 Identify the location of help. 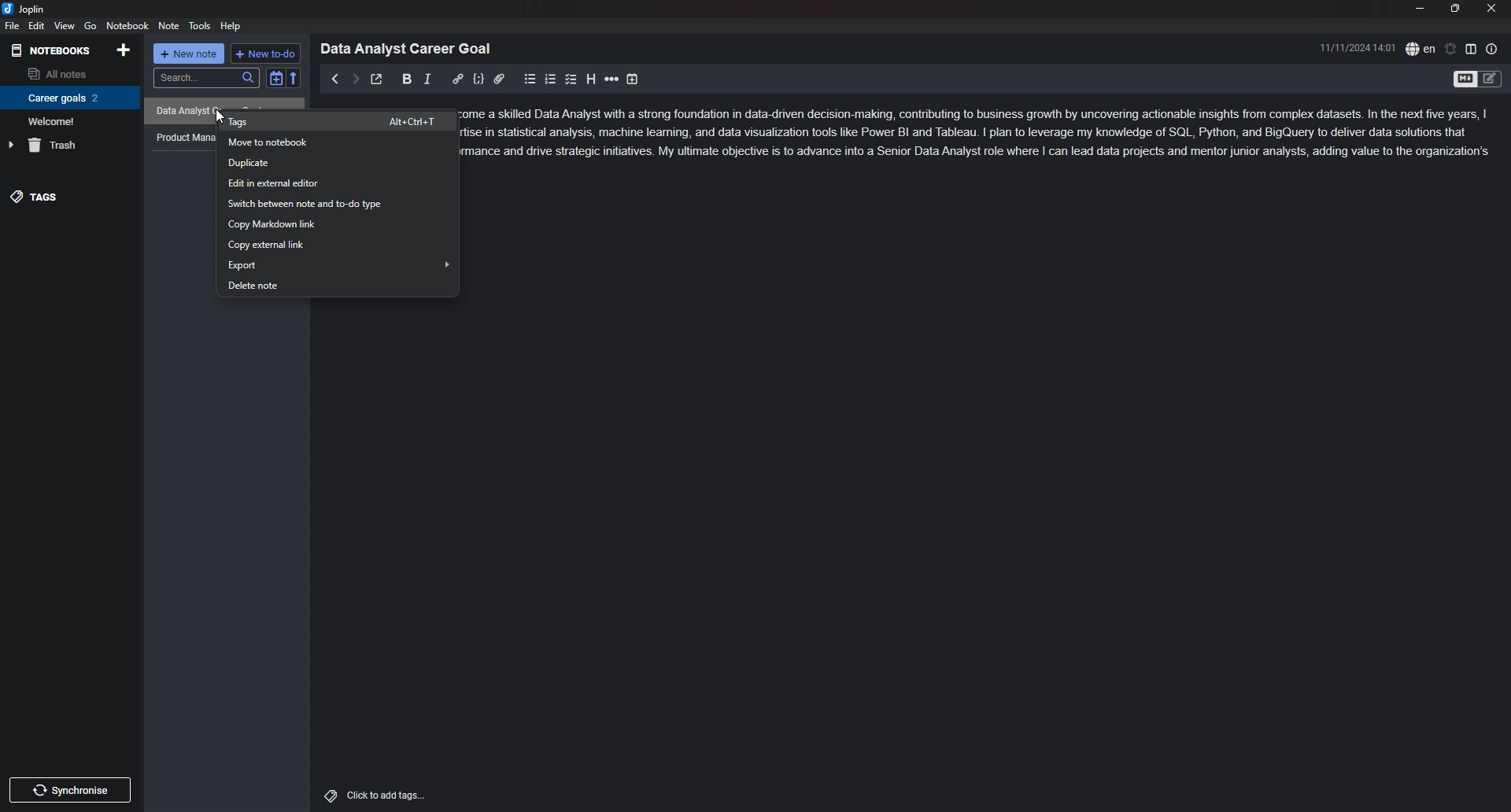
(231, 27).